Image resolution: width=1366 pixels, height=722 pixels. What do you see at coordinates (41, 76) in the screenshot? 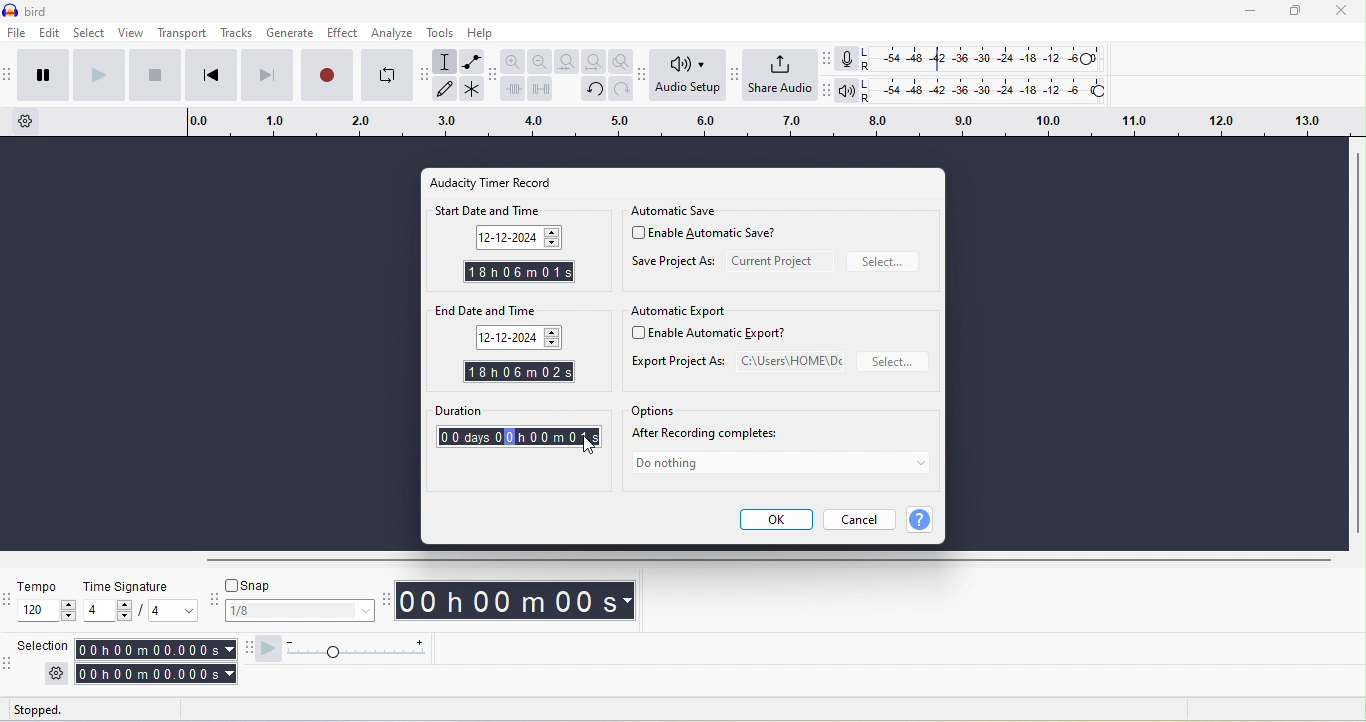
I see `pause` at bounding box center [41, 76].